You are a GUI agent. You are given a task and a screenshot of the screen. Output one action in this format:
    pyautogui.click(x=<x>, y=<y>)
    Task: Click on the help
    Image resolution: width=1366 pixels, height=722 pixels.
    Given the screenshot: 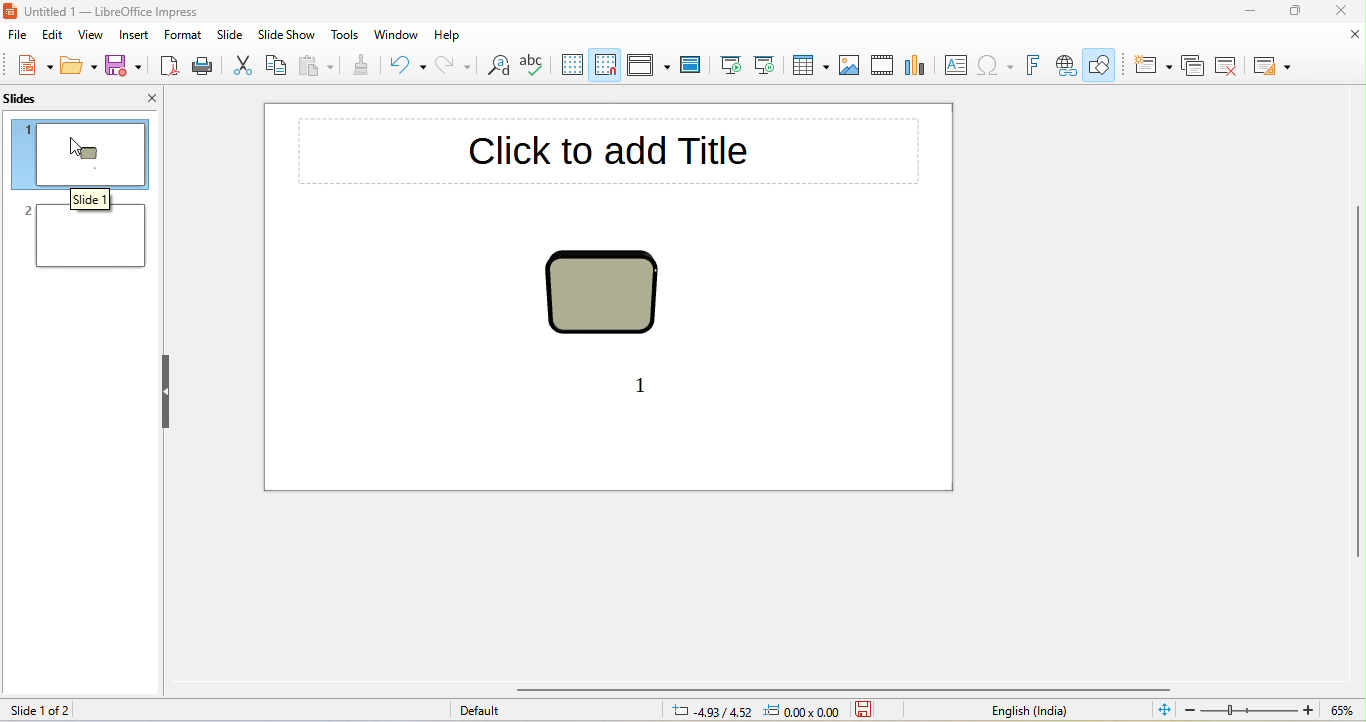 What is the action you would take?
    pyautogui.click(x=453, y=35)
    